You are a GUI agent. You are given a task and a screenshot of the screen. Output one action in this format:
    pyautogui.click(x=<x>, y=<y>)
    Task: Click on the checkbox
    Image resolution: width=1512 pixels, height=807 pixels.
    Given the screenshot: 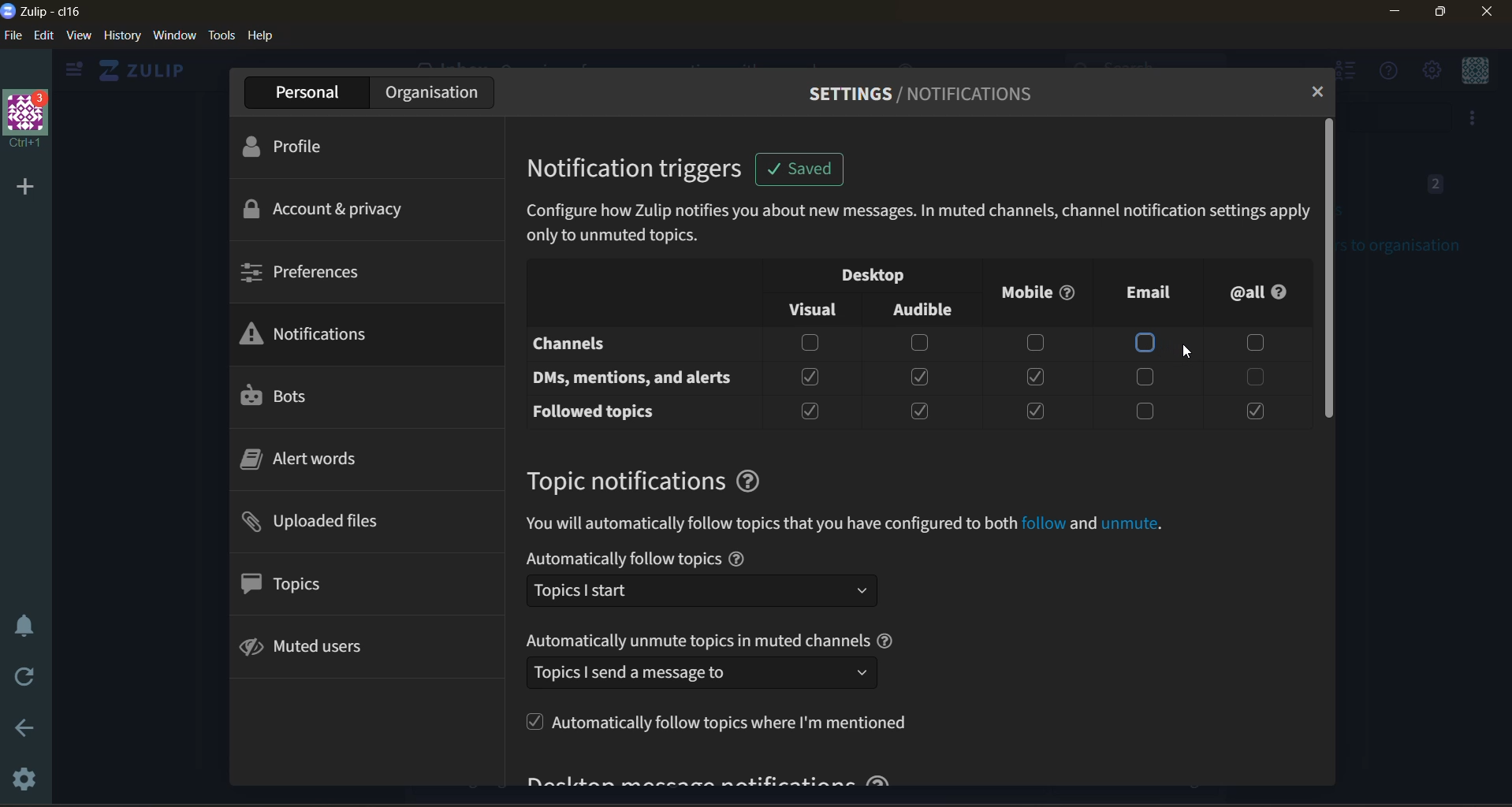 What is the action you would take?
    pyautogui.click(x=812, y=343)
    